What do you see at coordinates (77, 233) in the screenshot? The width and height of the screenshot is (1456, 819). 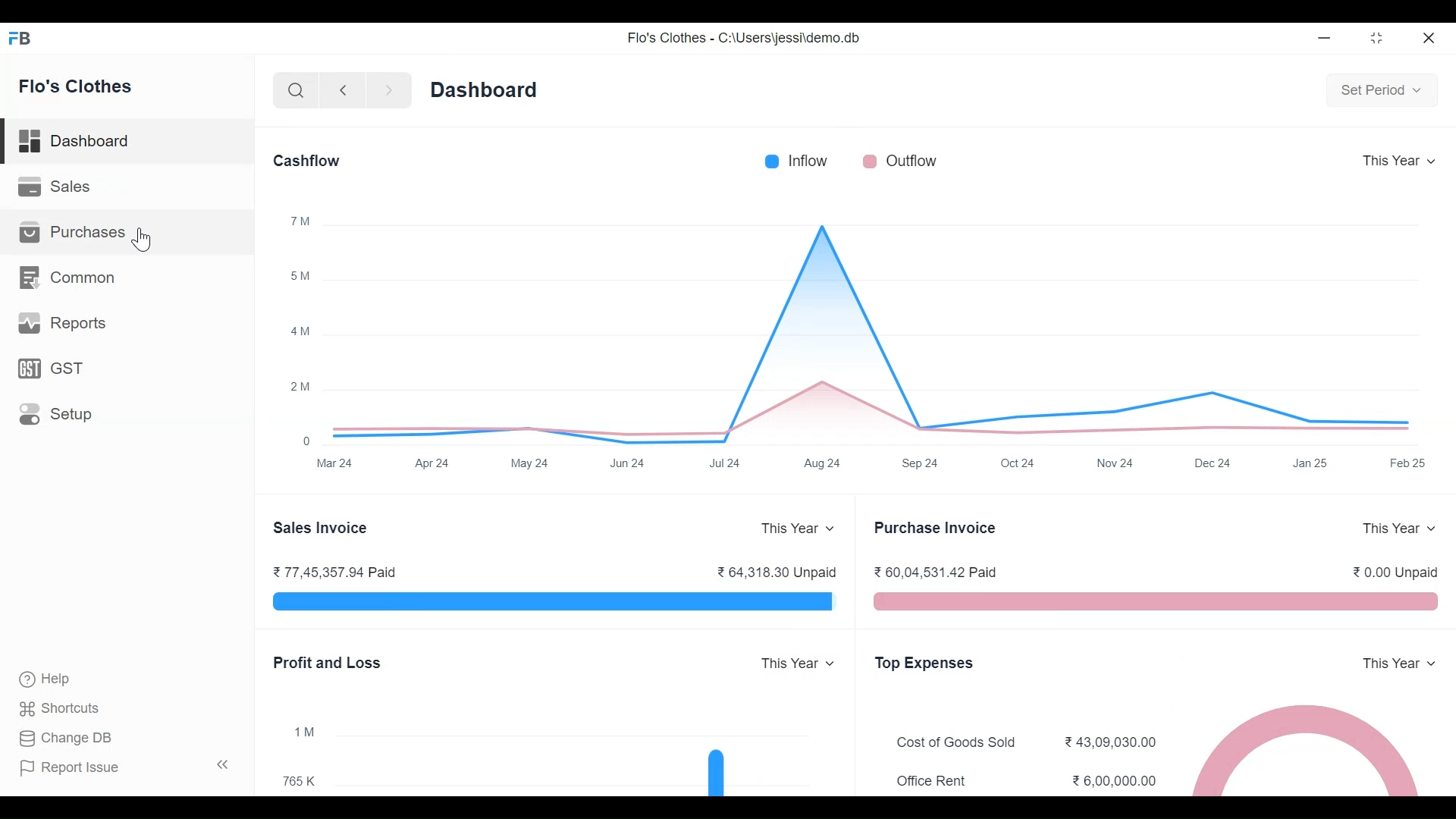 I see `Purchases` at bounding box center [77, 233].